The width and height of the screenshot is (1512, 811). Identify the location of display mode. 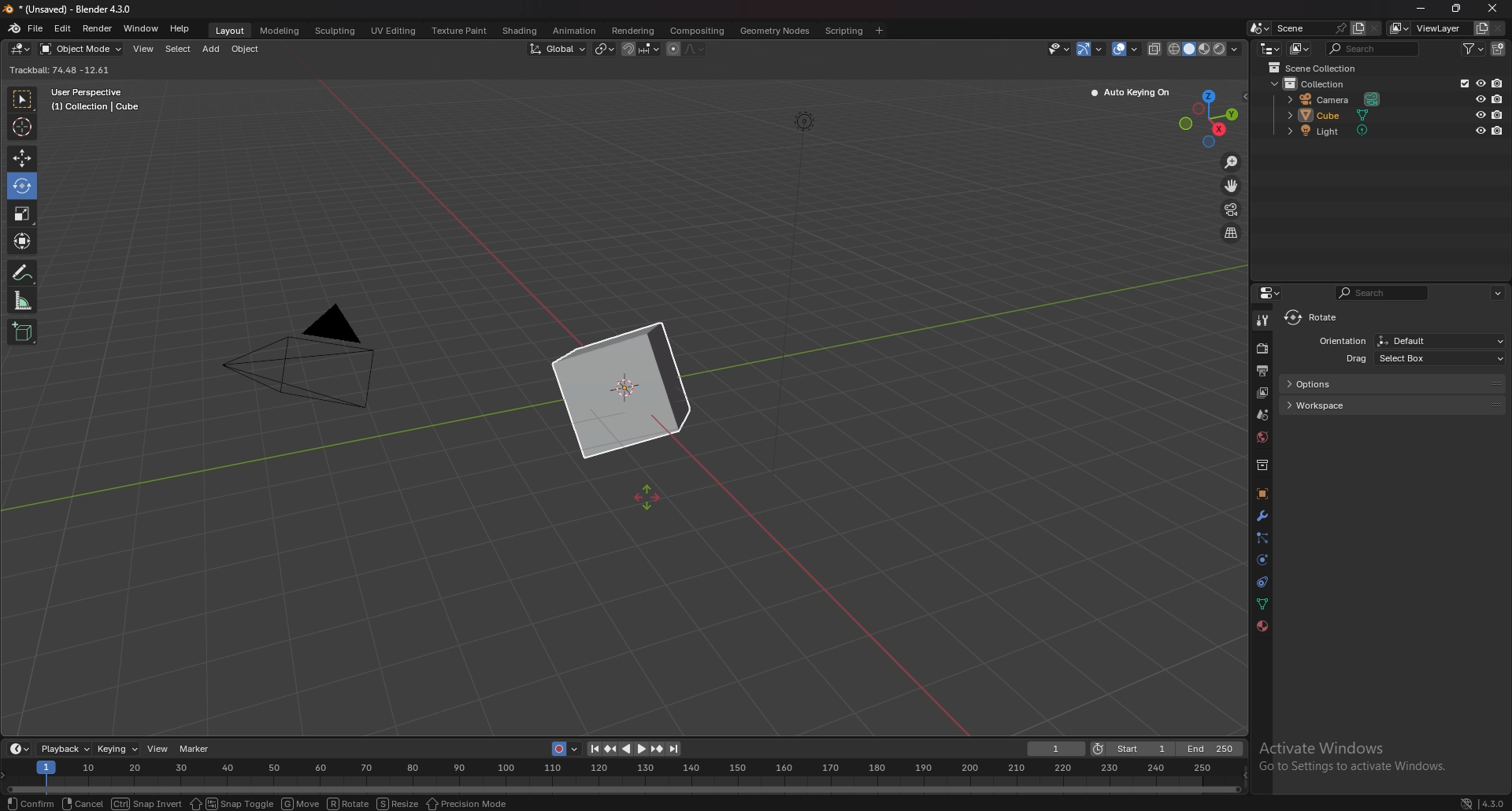
(1300, 49).